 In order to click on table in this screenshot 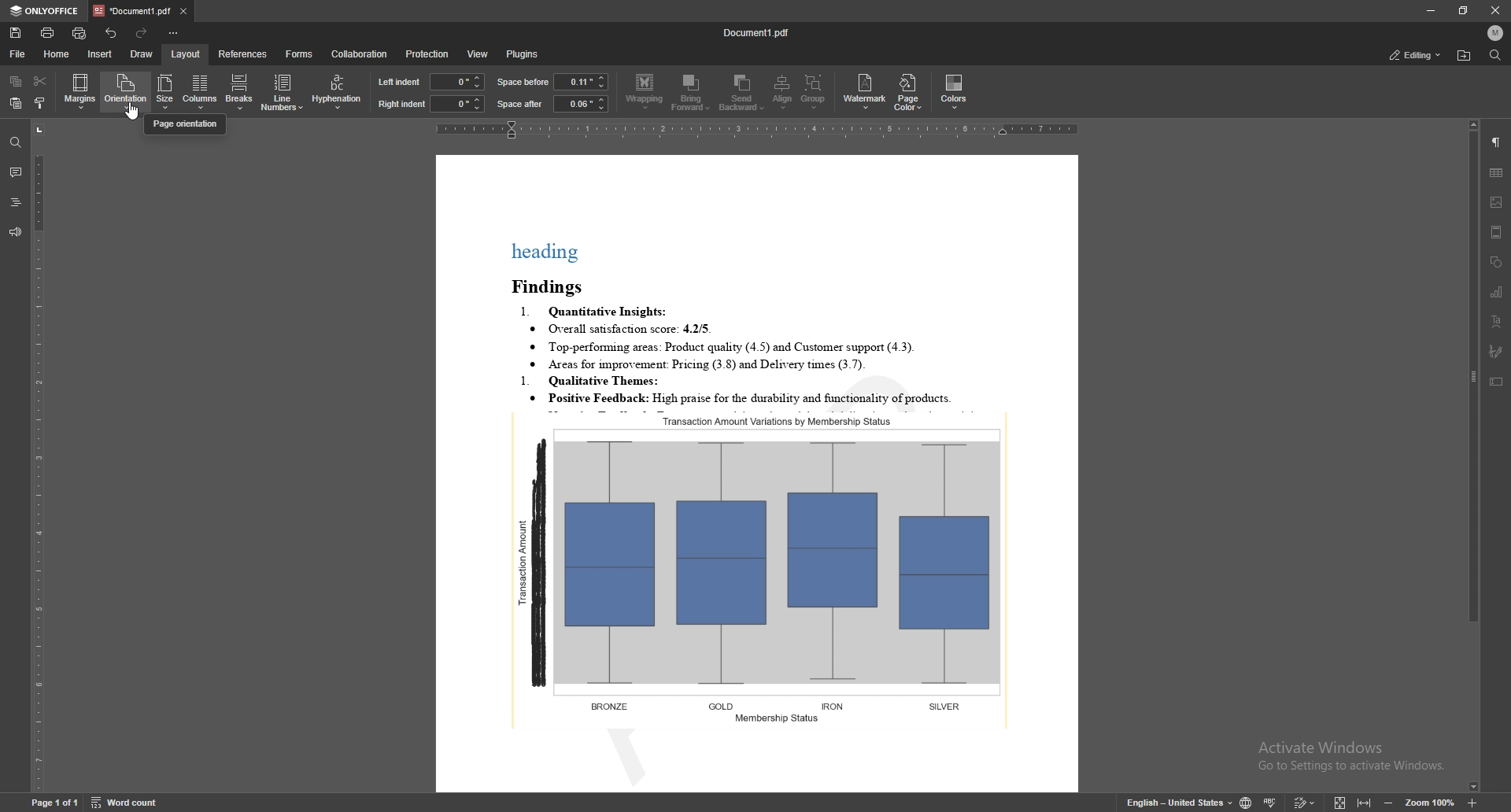, I will do `click(1497, 173)`.